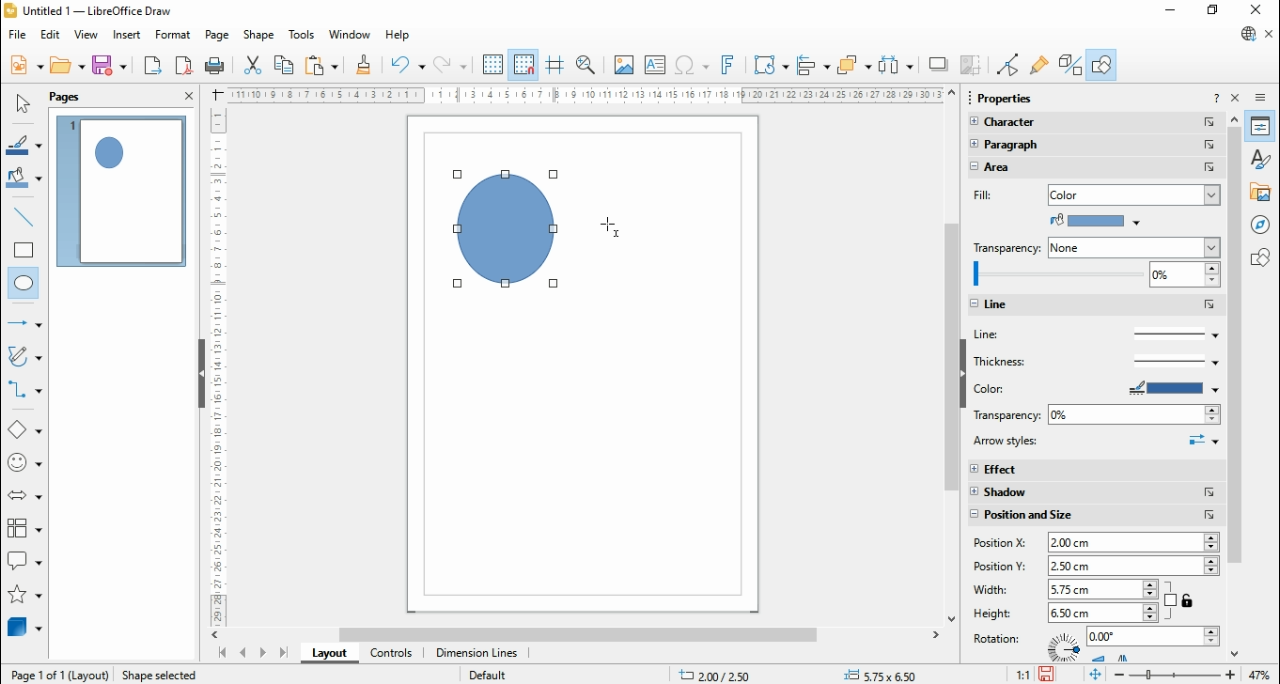  I want to click on save, so click(109, 65).